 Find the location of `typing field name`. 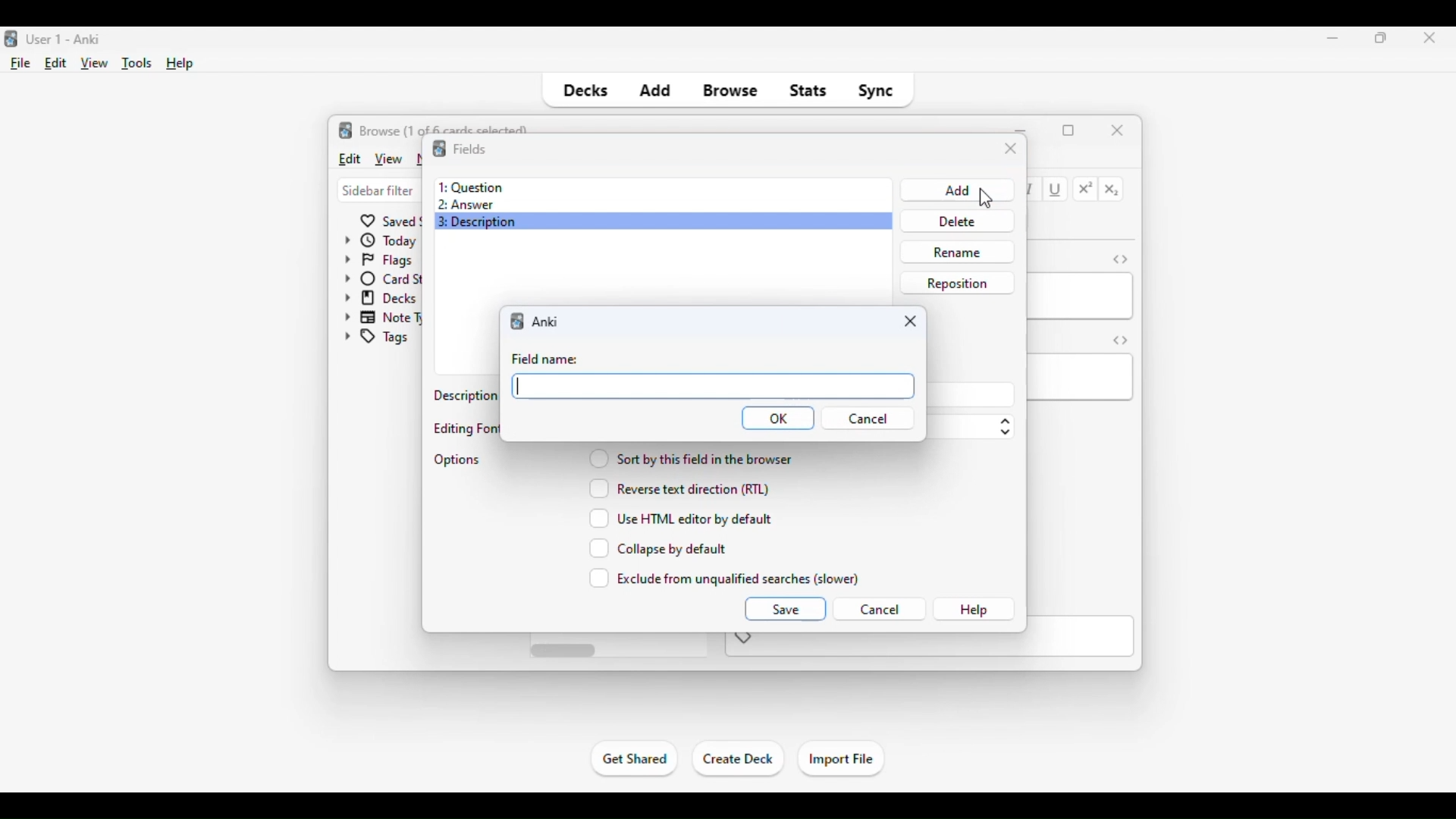

typing field name is located at coordinates (713, 385).